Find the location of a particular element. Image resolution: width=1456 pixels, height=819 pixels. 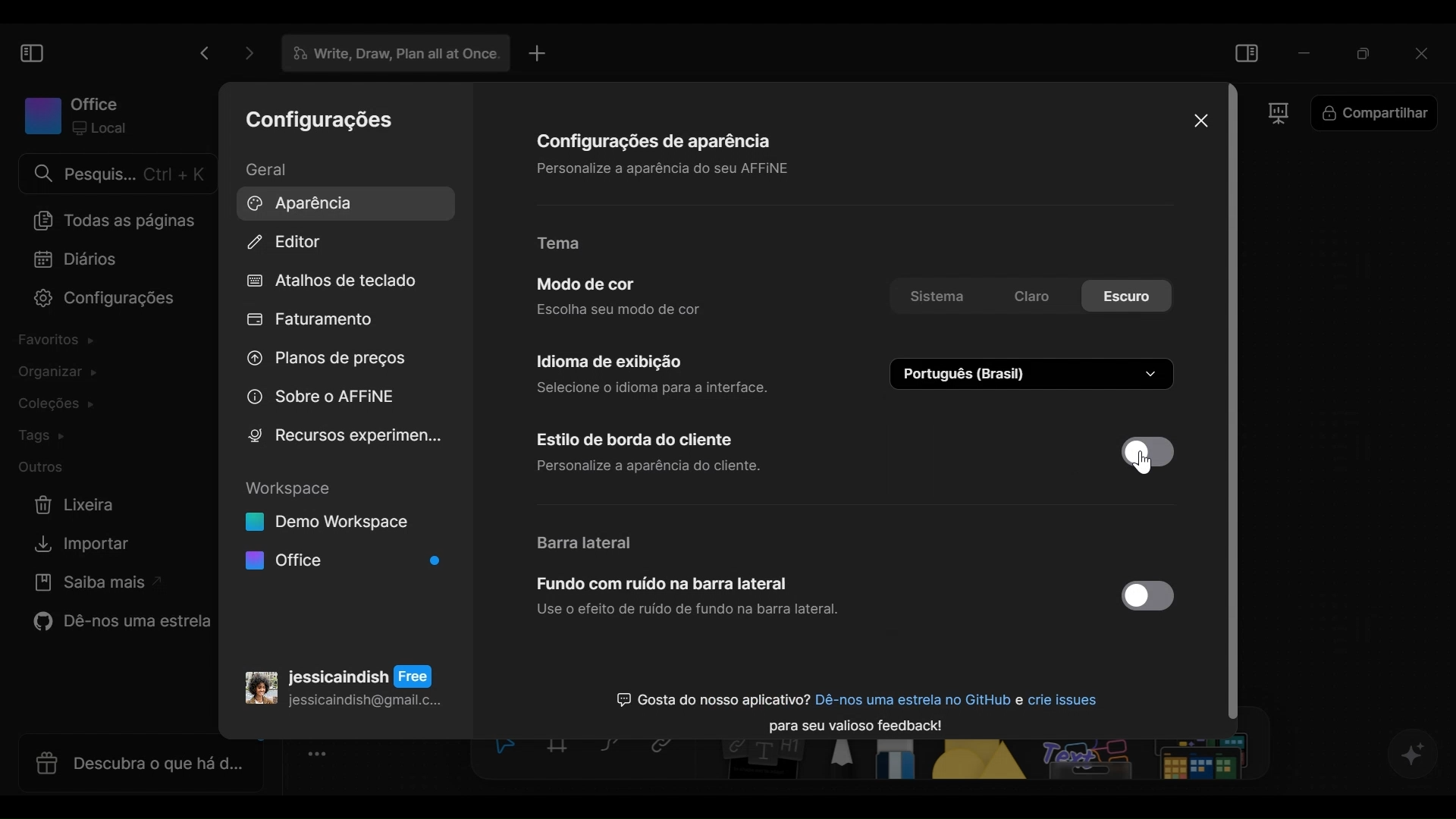

language options is located at coordinates (1034, 374).